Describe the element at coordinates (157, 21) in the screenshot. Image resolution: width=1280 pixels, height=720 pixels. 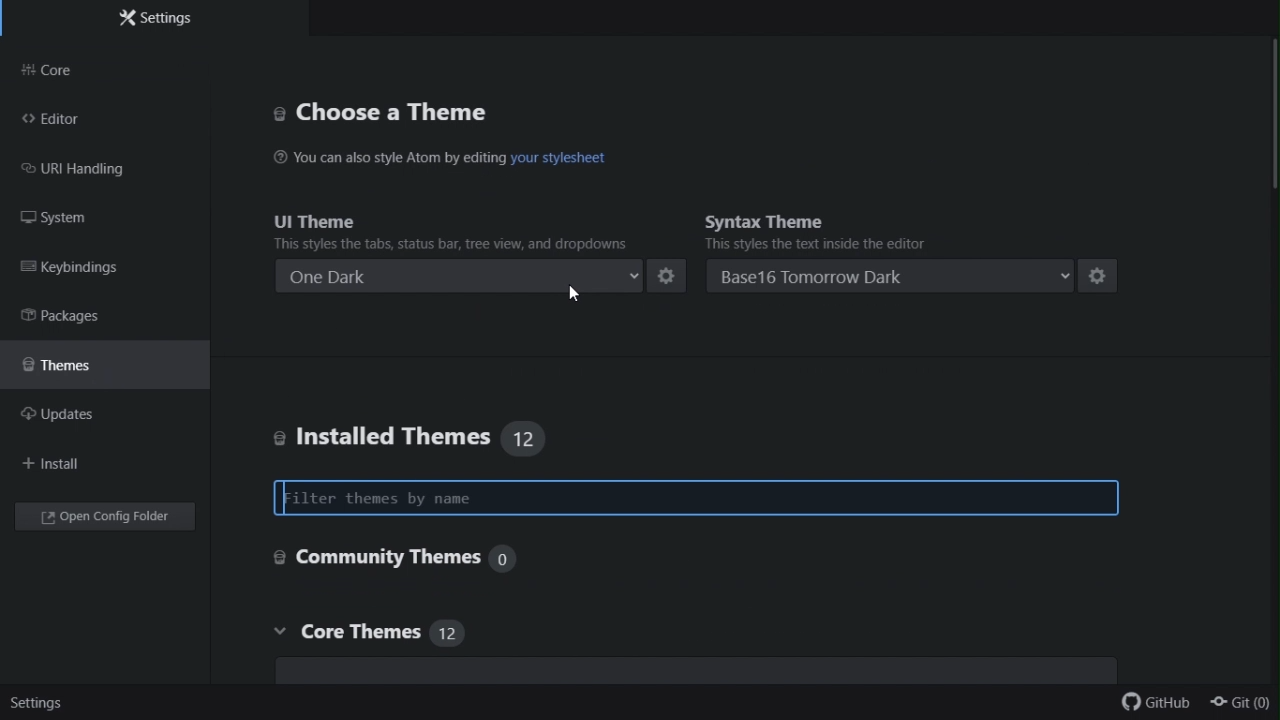
I see `Settings` at that location.